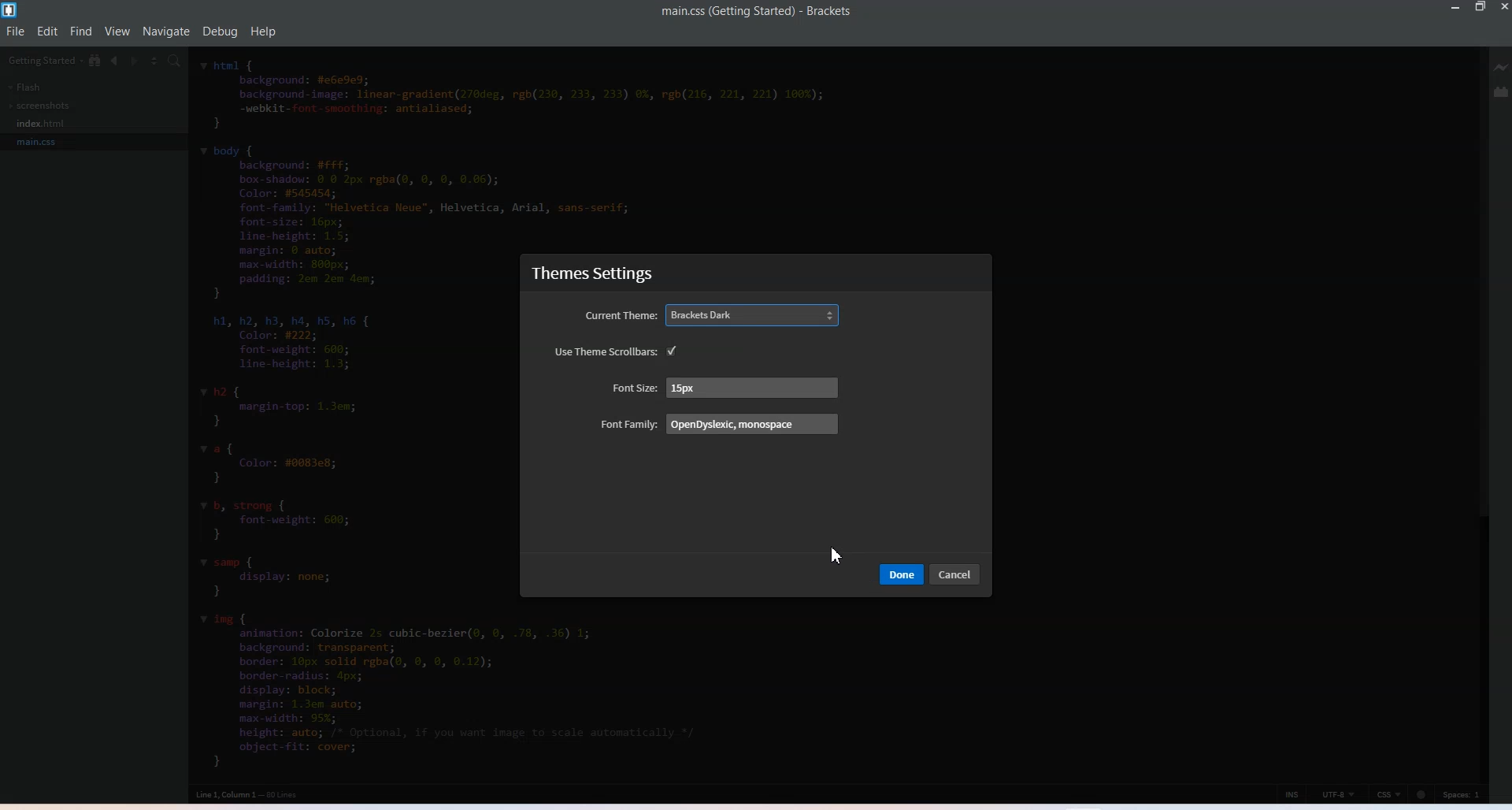 This screenshot has width=1512, height=810. What do you see at coordinates (634, 388) in the screenshot?
I see `Font size` at bounding box center [634, 388].